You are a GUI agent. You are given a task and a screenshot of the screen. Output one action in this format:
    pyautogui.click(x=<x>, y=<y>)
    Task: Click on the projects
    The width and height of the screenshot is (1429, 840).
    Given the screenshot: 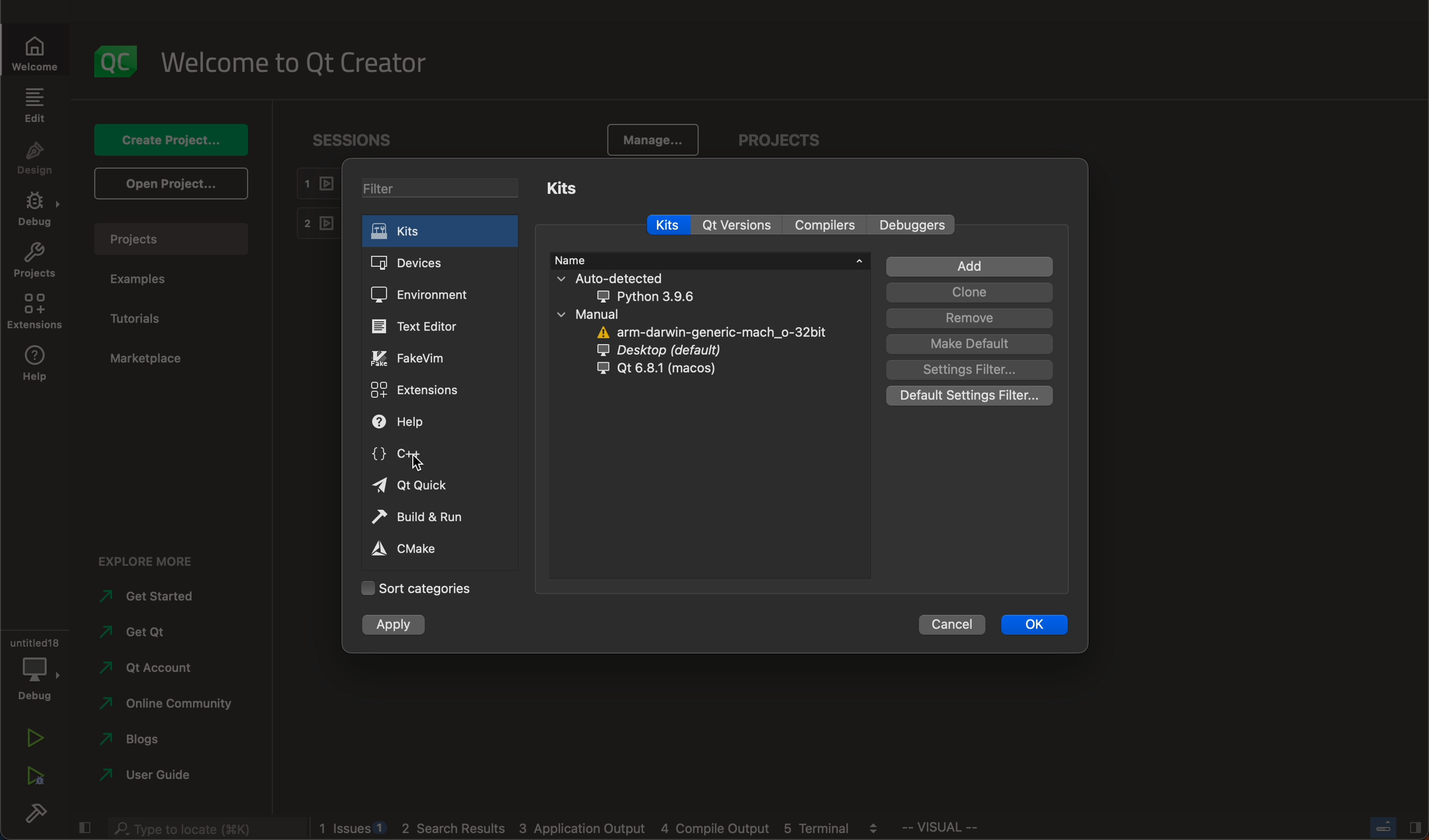 What is the action you would take?
    pyautogui.click(x=35, y=263)
    